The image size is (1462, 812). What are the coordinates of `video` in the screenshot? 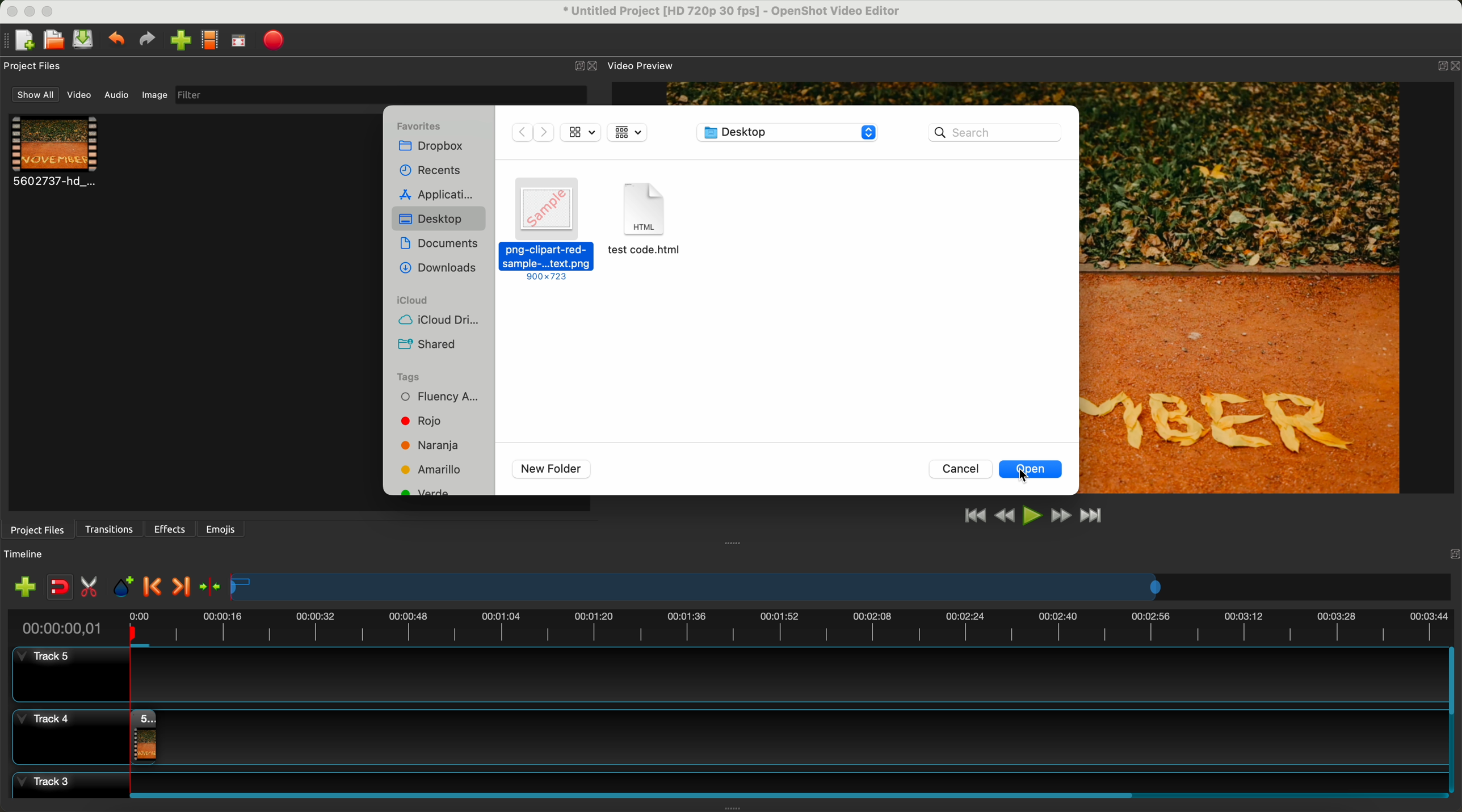 It's located at (56, 153).